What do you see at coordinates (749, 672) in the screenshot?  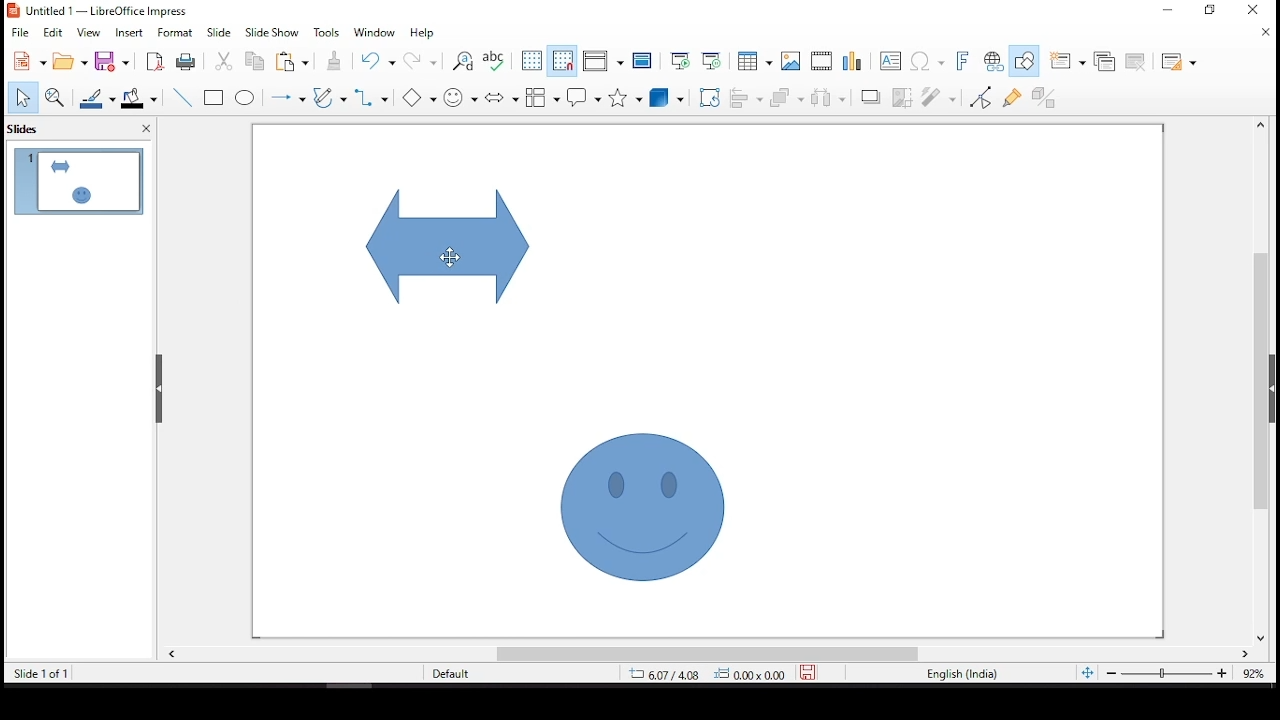 I see `0.00x0.00` at bounding box center [749, 672].